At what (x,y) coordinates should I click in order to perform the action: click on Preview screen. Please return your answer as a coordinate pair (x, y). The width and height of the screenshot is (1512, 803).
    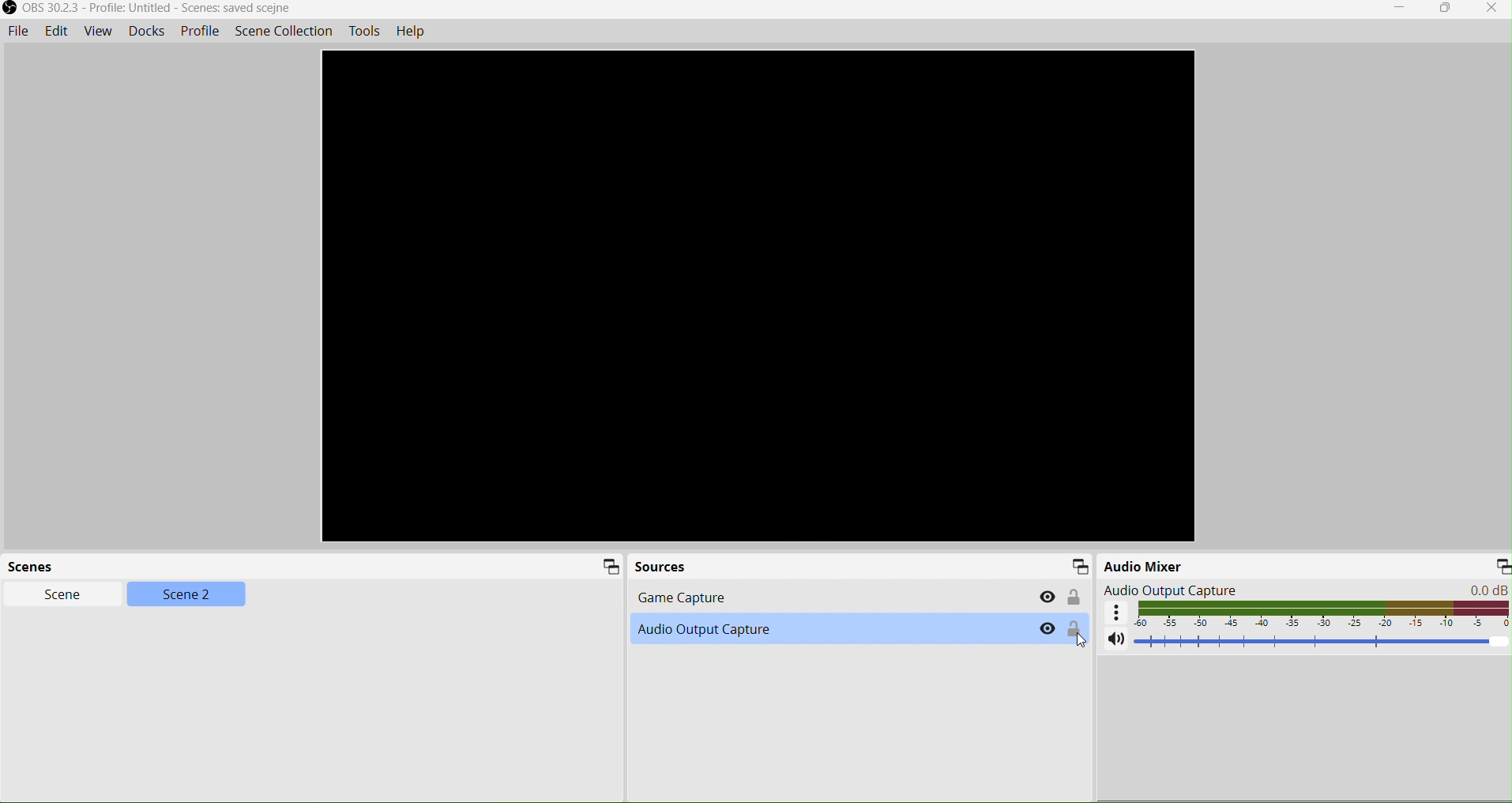
    Looking at the image, I should click on (758, 295).